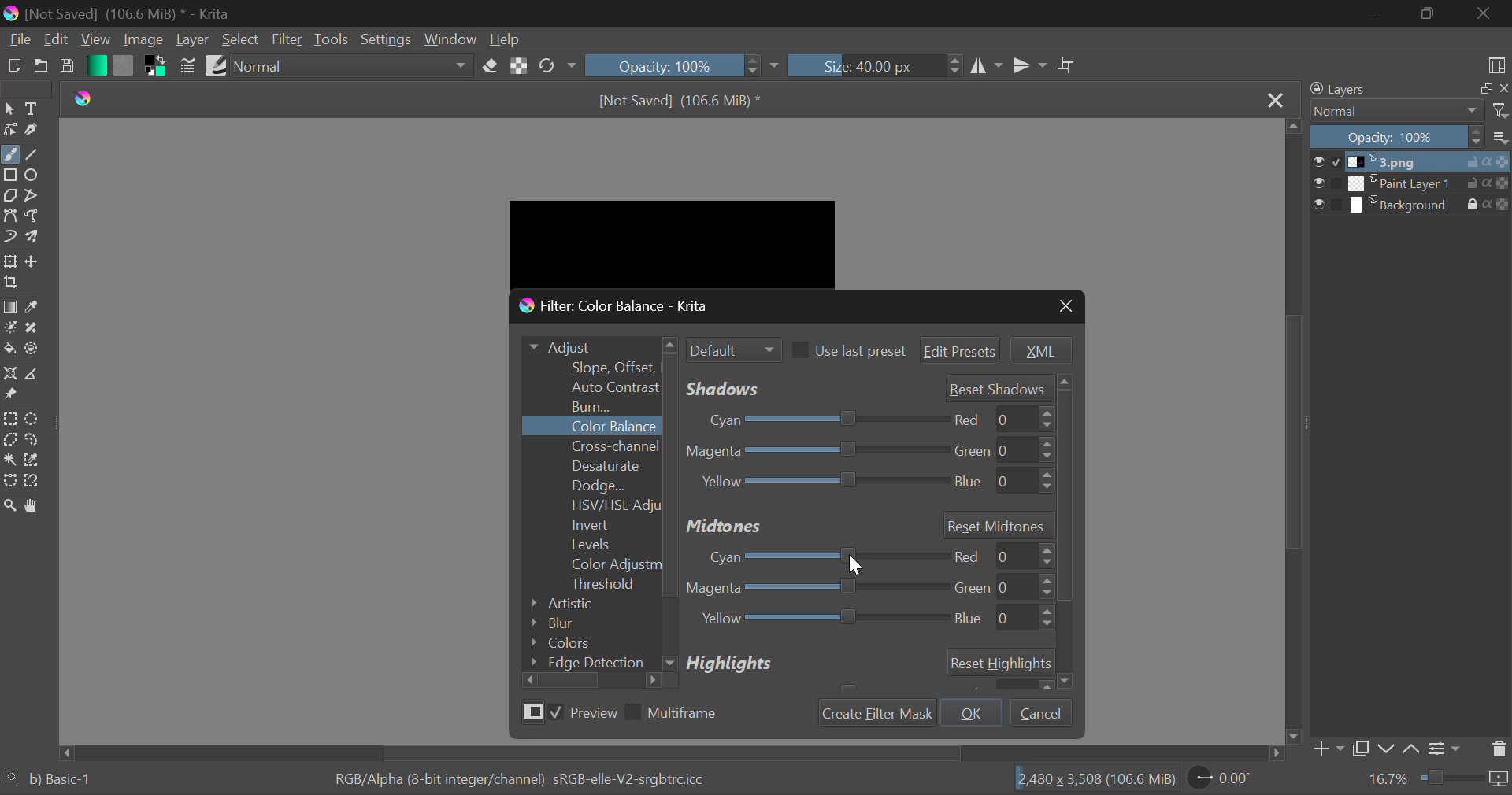  What do you see at coordinates (592, 564) in the screenshot?
I see `Color Adjustment` at bounding box center [592, 564].